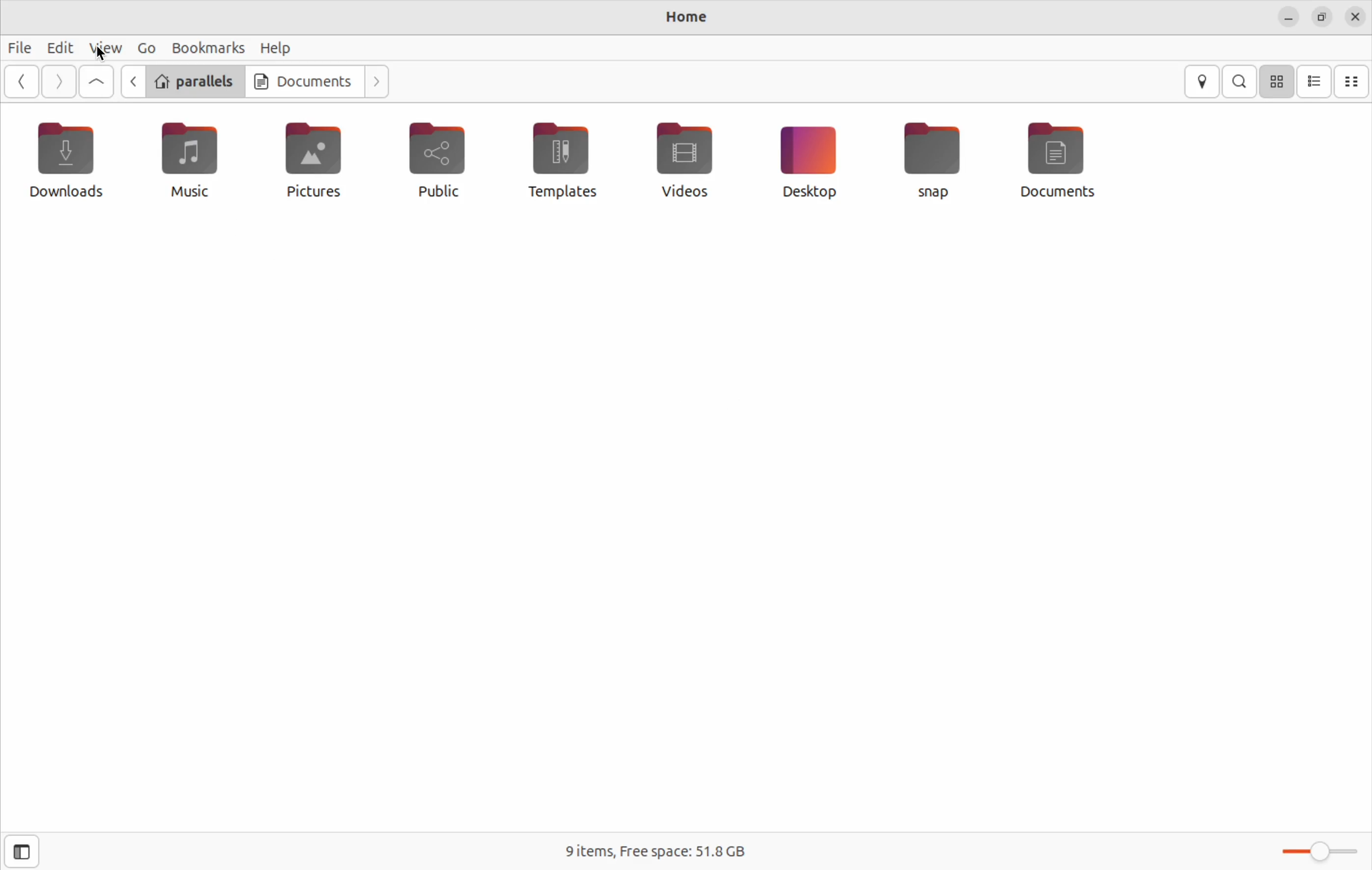  What do you see at coordinates (1287, 18) in the screenshot?
I see `minimize` at bounding box center [1287, 18].